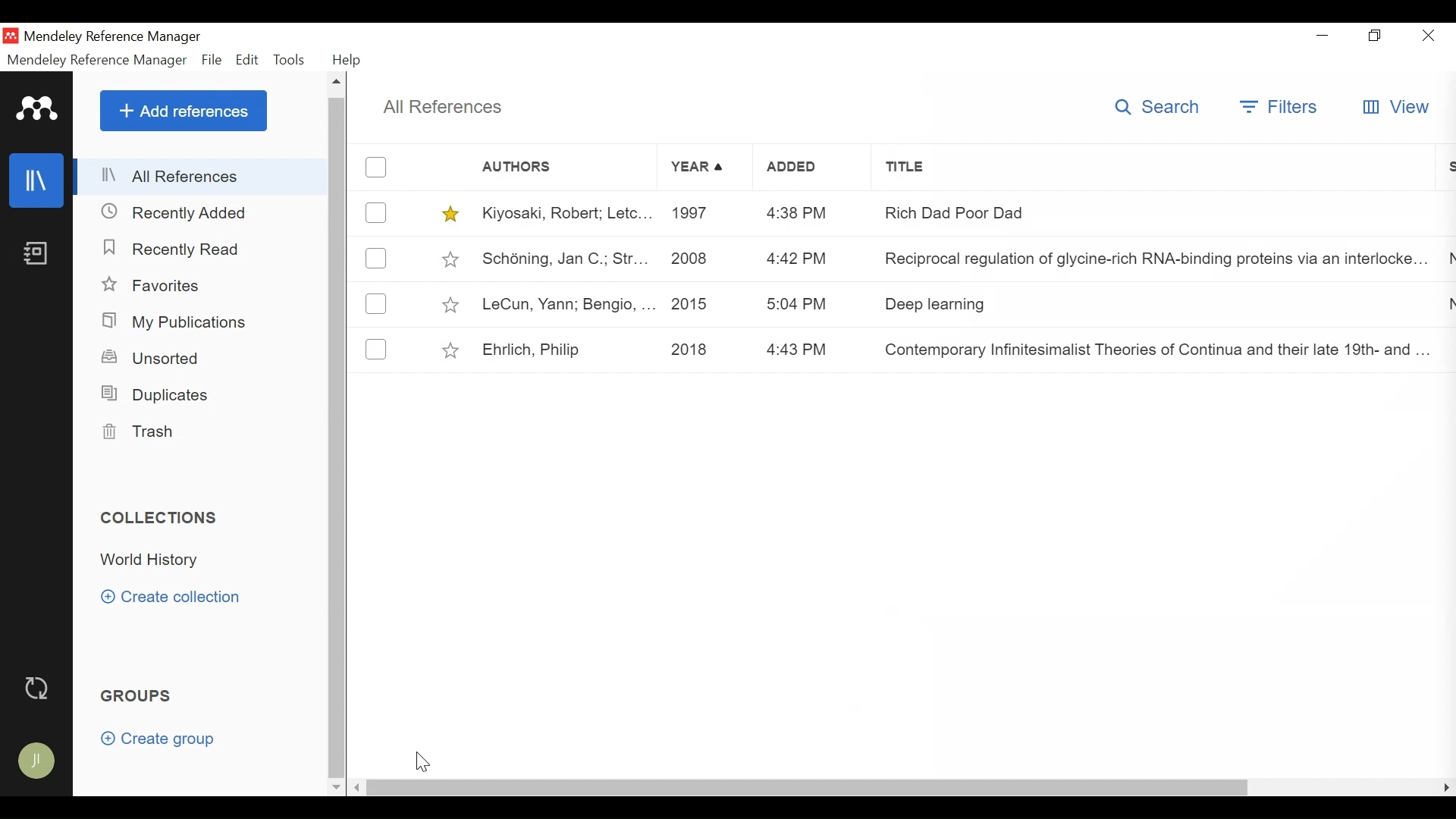 The height and width of the screenshot is (819, 1456). What do you see at coordinates (442, 107) in the screenshot?
I see `All References` at bounding box center [442, 107].